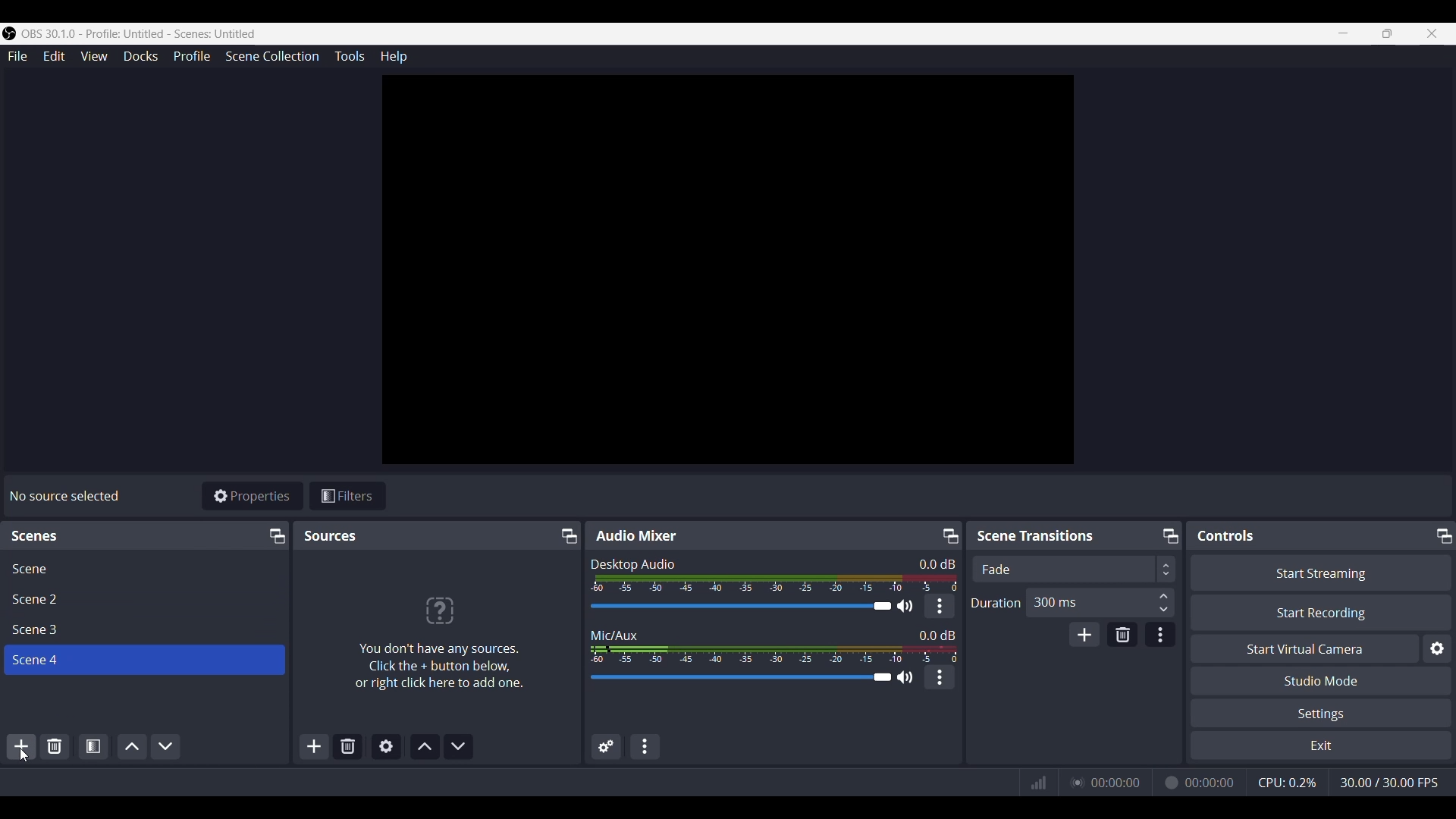  I want to click on Move scene down, so click(166, 745).